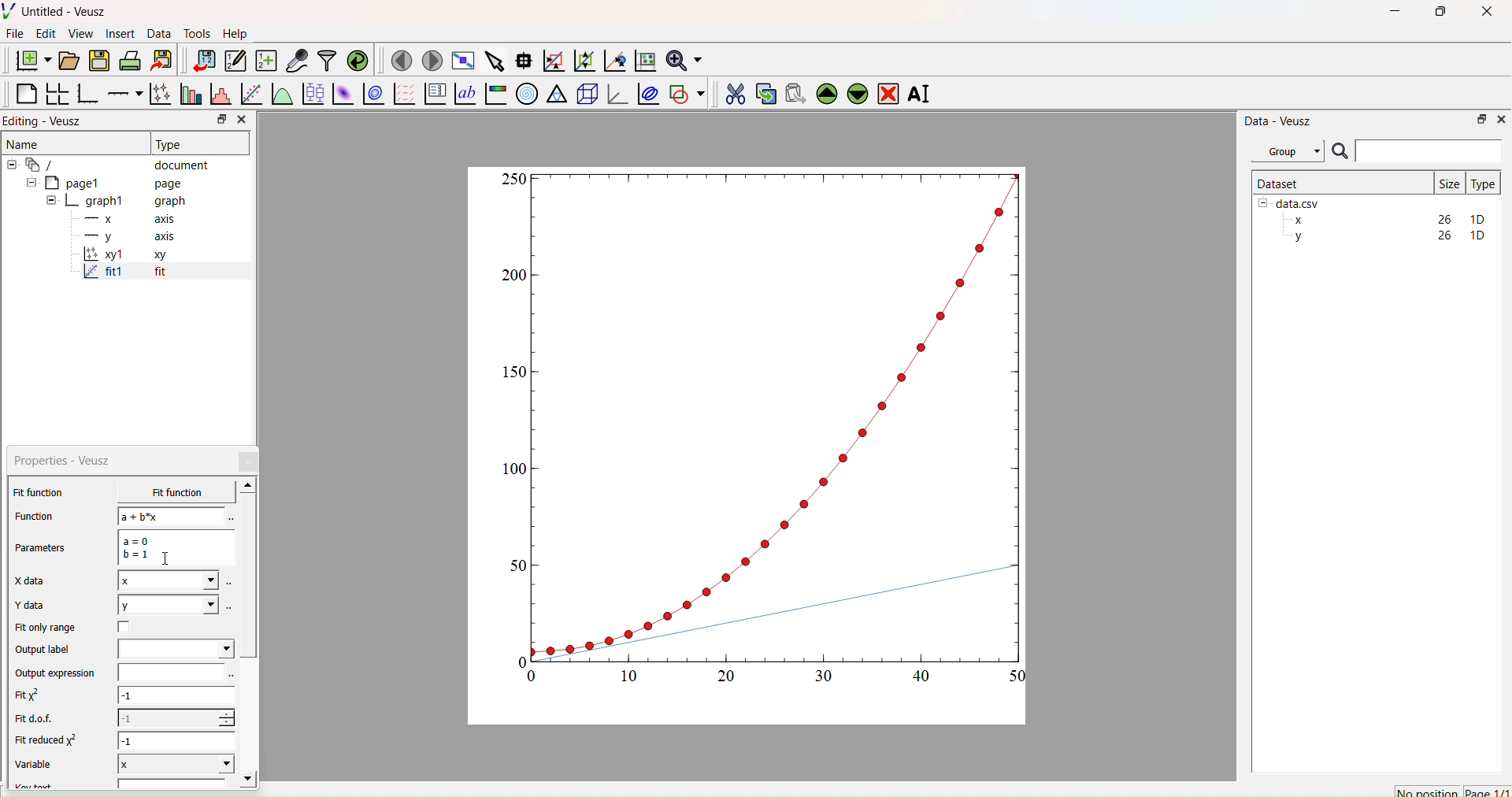 This screenshot has width=1512, height=797. Describe the element at coordinates (233, 61) in the screenshot. I see `Edit or enter new dataset` at that location.